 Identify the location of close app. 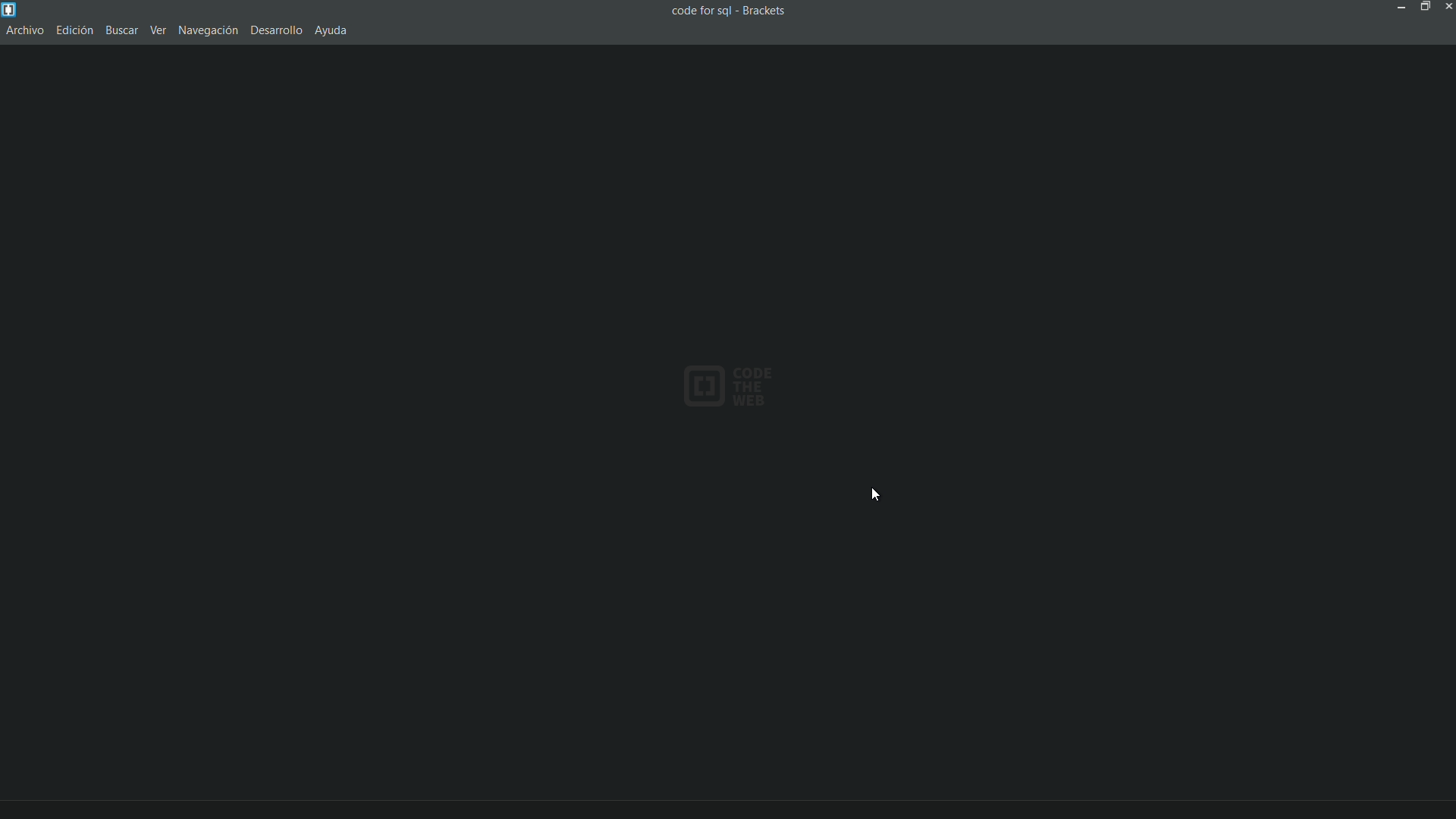
(1447, 8).